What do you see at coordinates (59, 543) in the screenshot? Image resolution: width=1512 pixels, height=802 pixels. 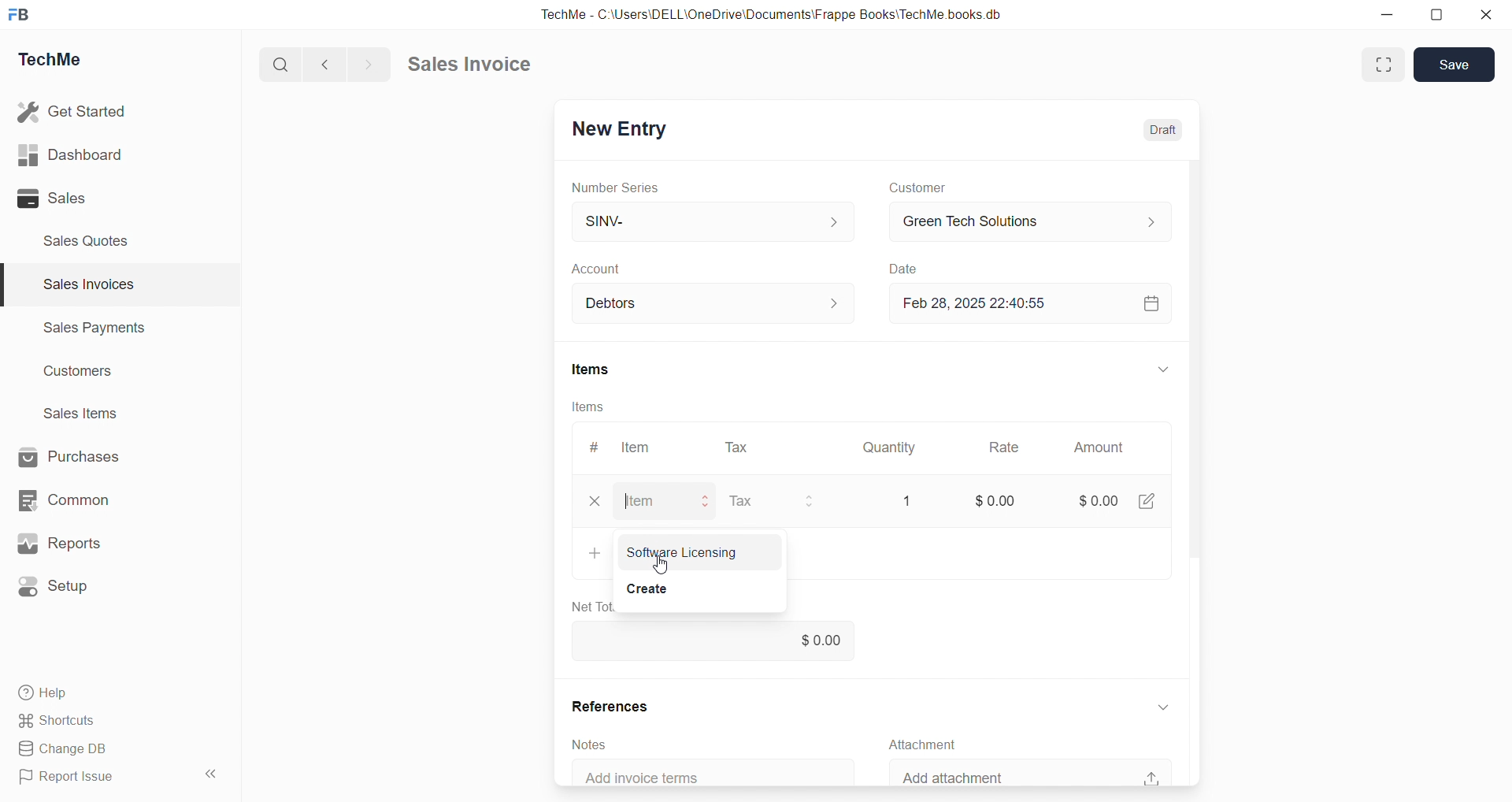 I see `Reports` at bounding box center [59, 543].